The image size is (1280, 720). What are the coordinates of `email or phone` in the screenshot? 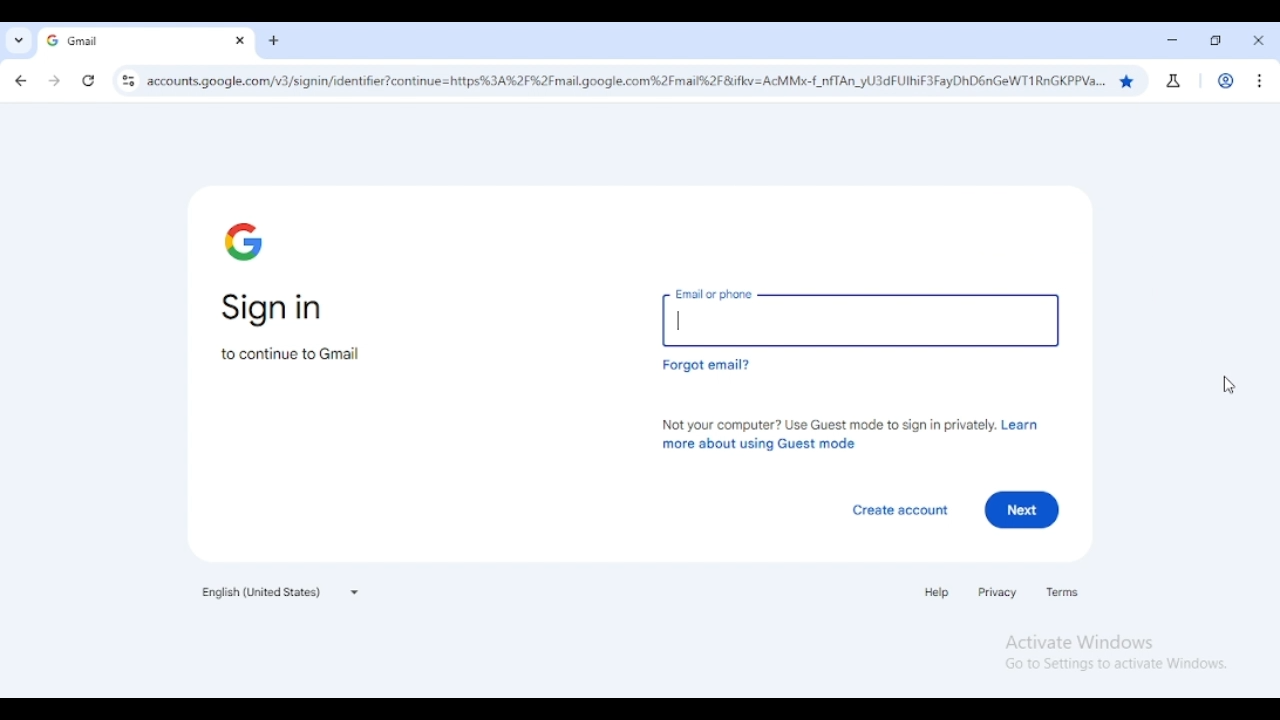 It's located at (860, 314).